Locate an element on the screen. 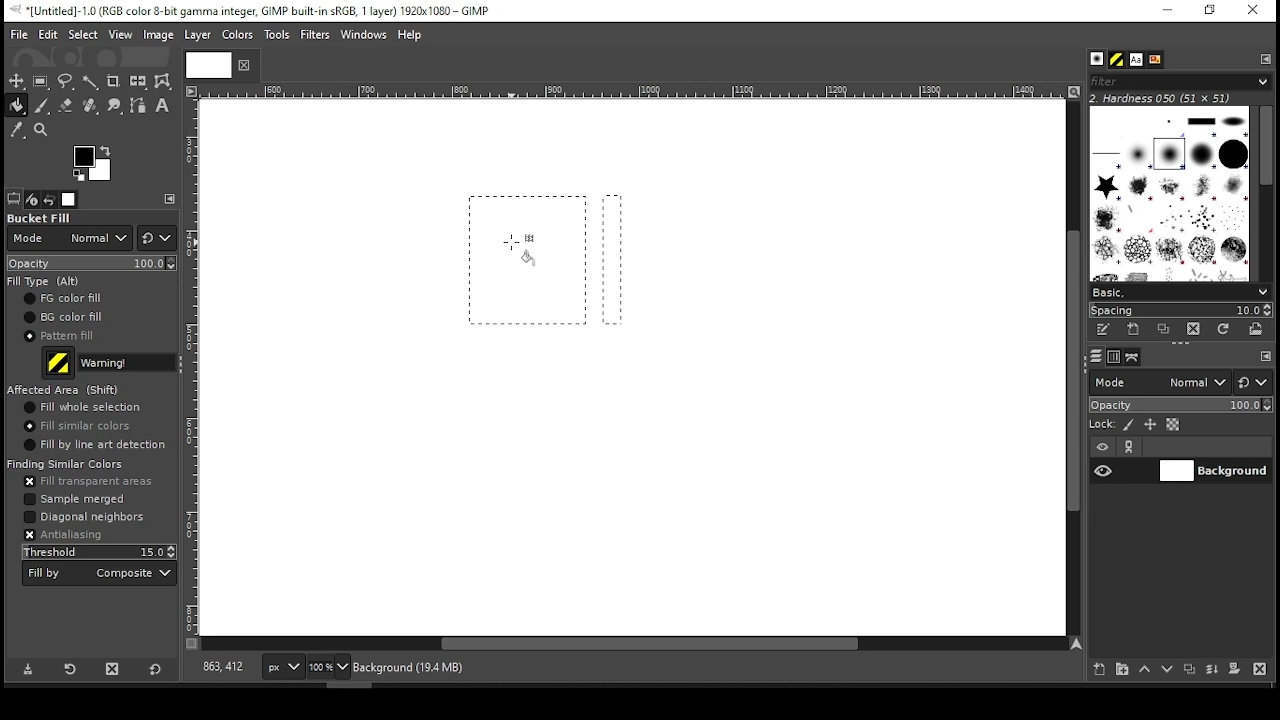  mouse pointer is located at coordinates (519, 248).